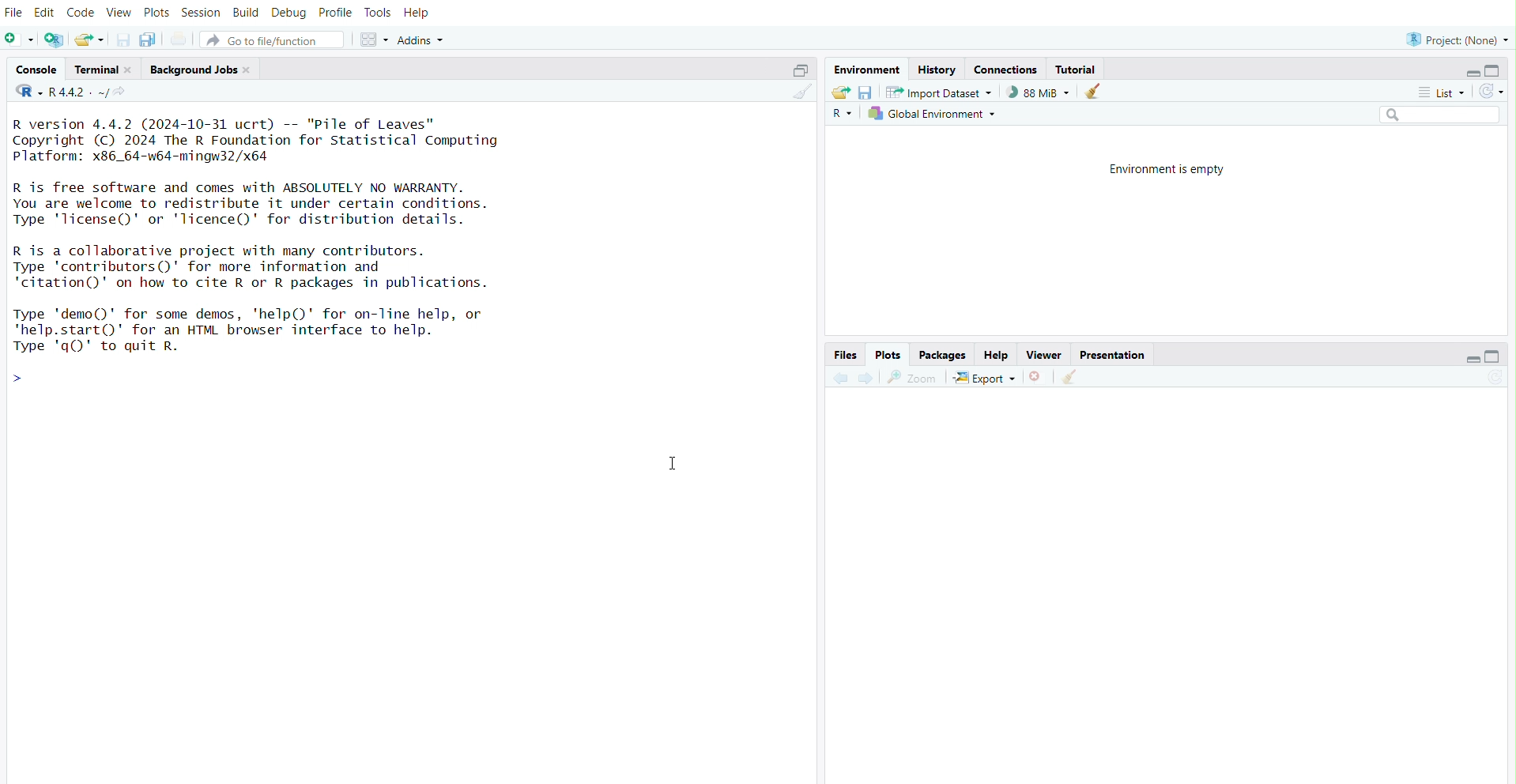 The width and height of the screenshot is (1516, 784). I want to click on create a project, so click(54, 40).